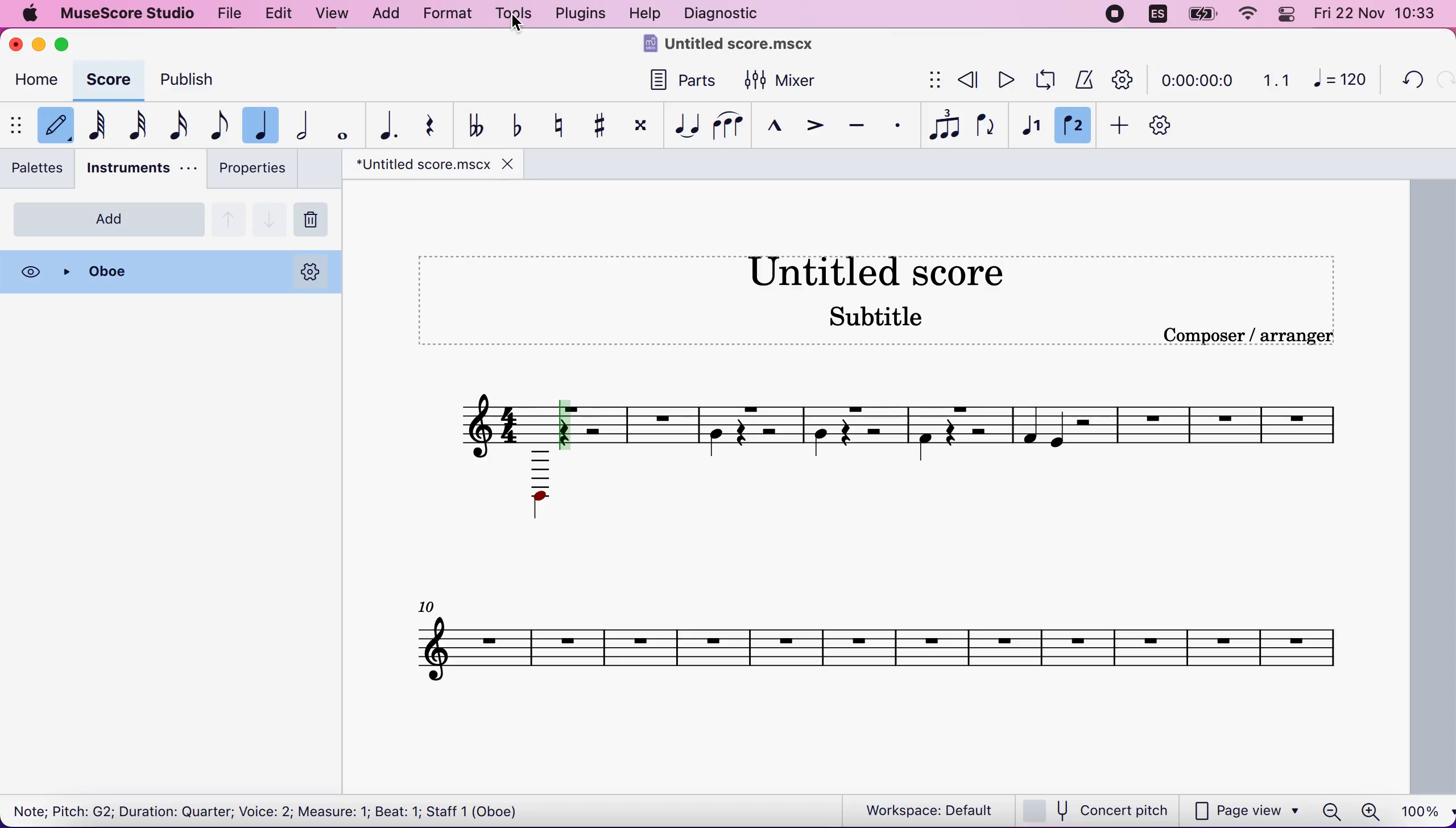 This screenshot has height=828, width=1456. I want to click on remove, so click(315, 218).